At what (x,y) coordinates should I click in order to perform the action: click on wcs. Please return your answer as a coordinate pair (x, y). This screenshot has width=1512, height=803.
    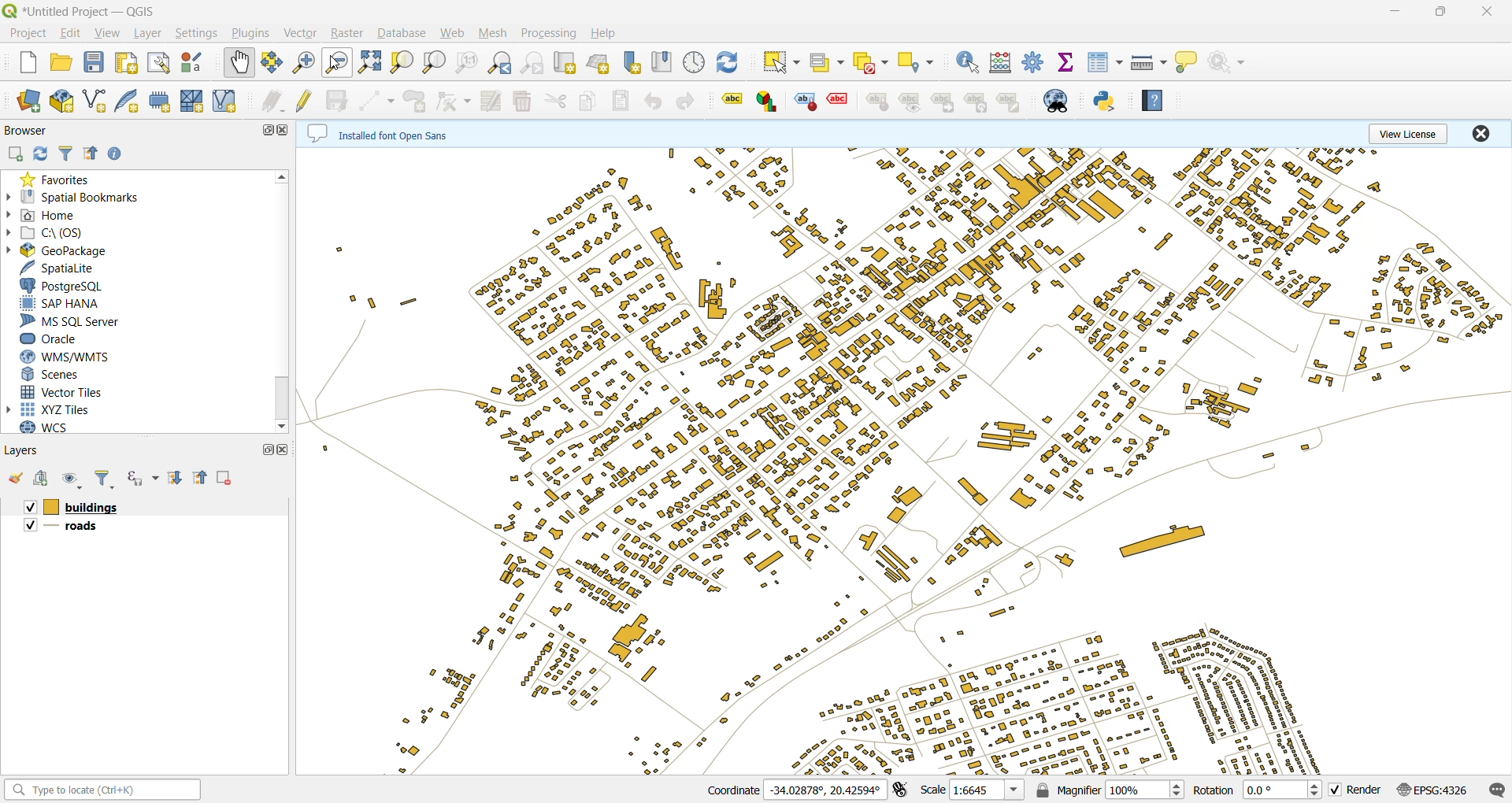
    Looking at the image, I should click on (46, 429).